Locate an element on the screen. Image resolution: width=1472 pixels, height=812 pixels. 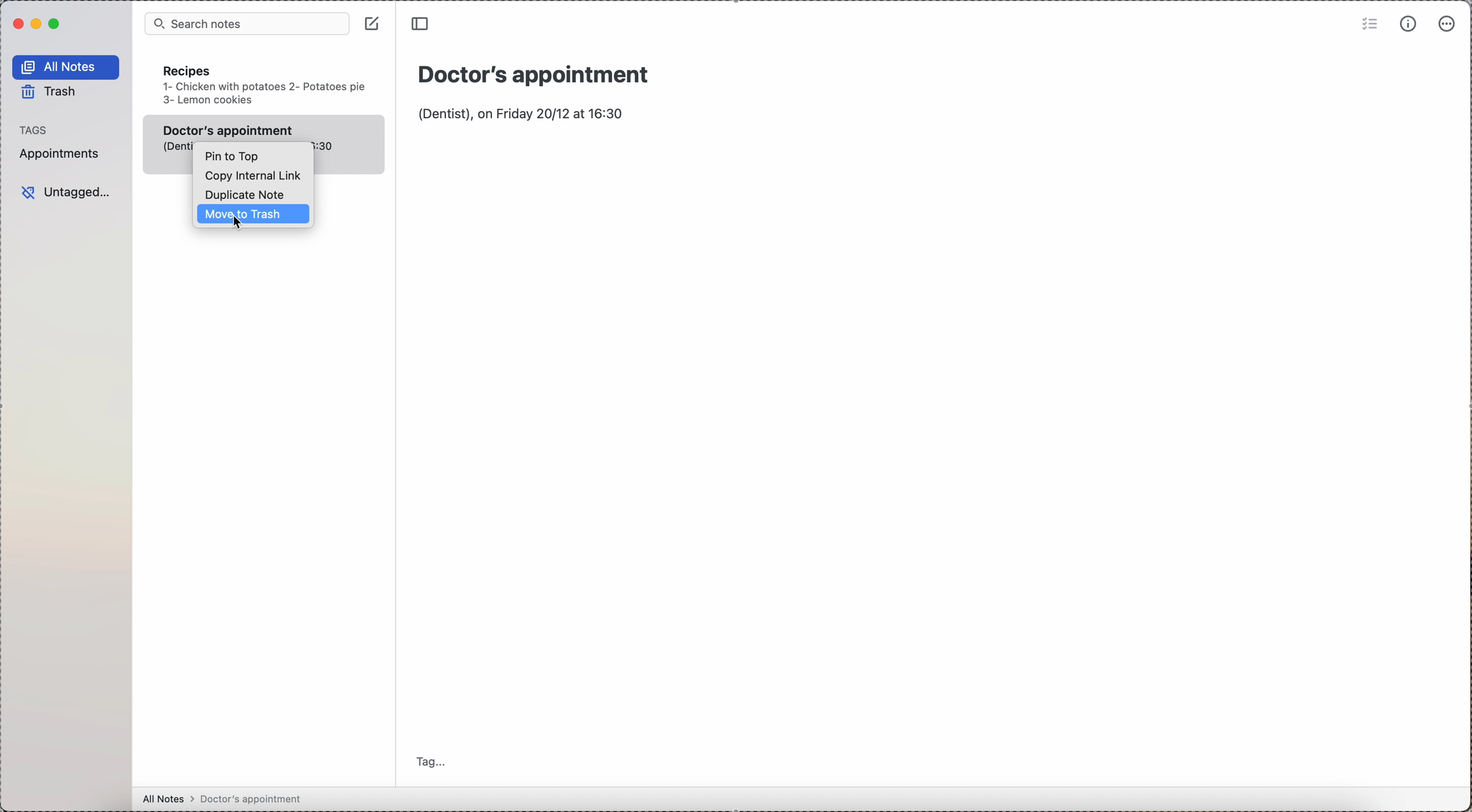
cursor is located at coordinates (237, 224).